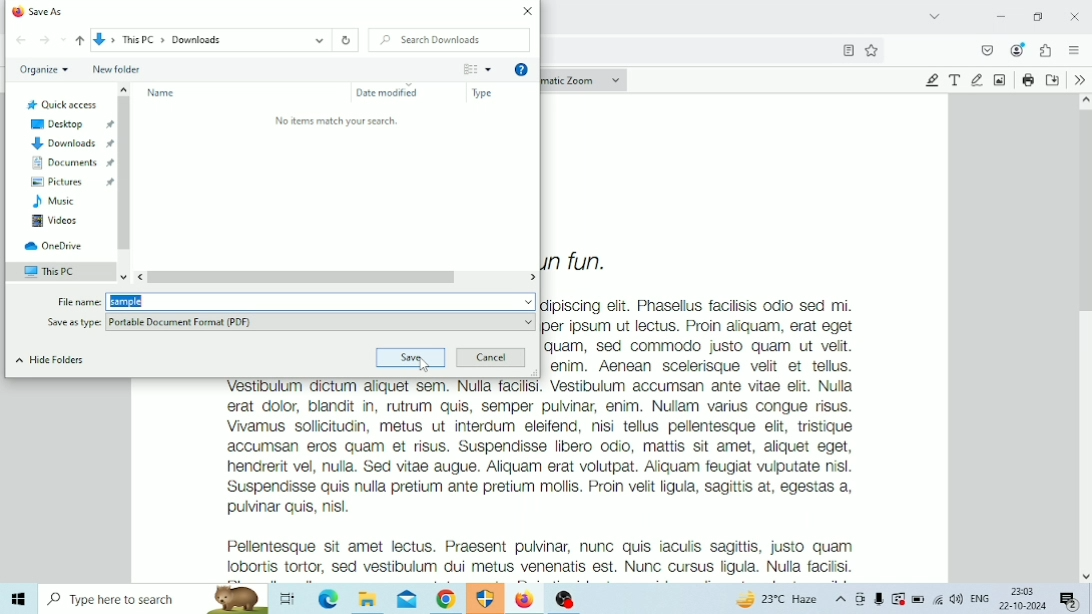 This screenshot has width=1092, height=614. I want to click on Quick access, so click(66, 104).